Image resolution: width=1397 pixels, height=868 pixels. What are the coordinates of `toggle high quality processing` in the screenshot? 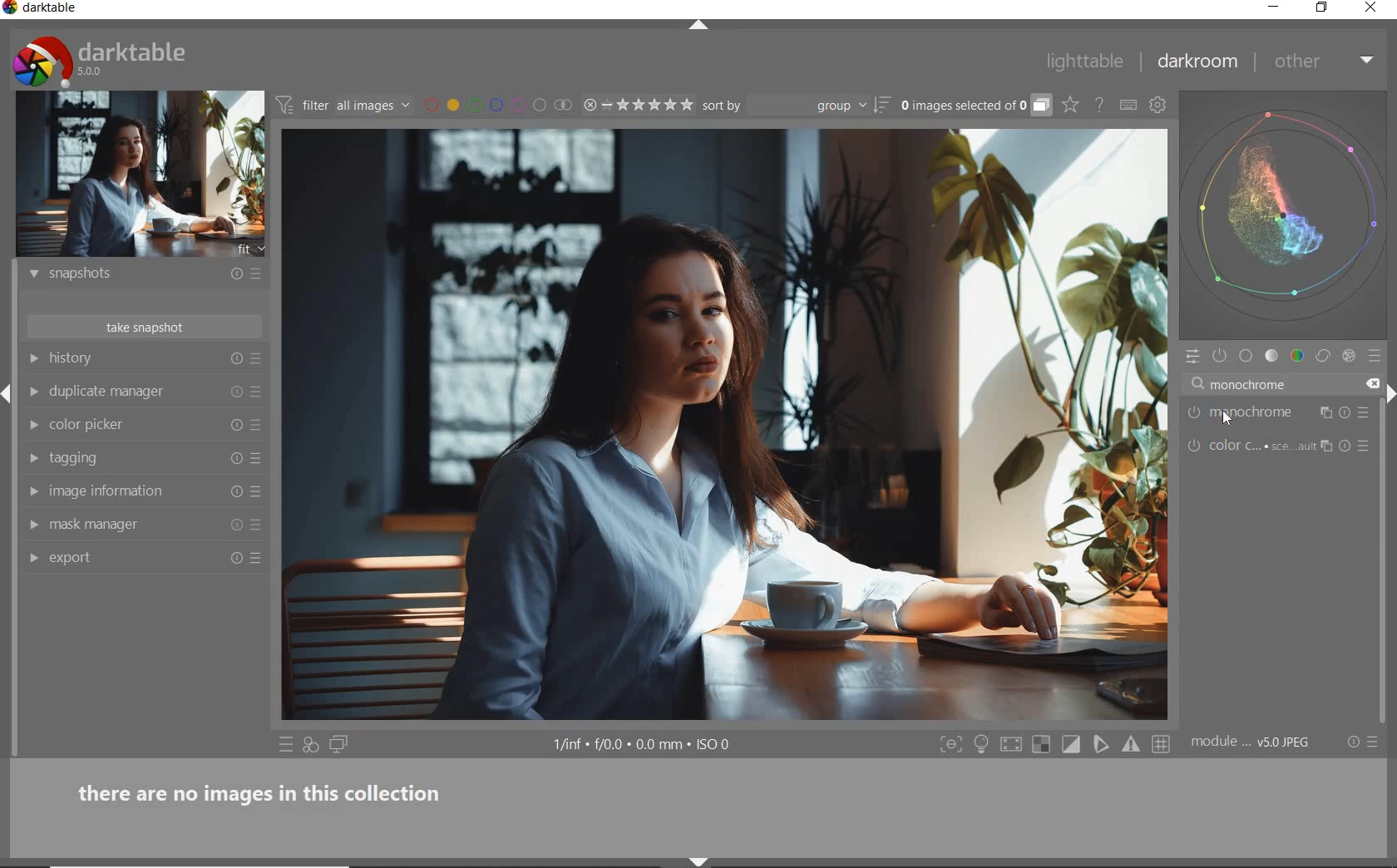 It's located at (1013, 745).